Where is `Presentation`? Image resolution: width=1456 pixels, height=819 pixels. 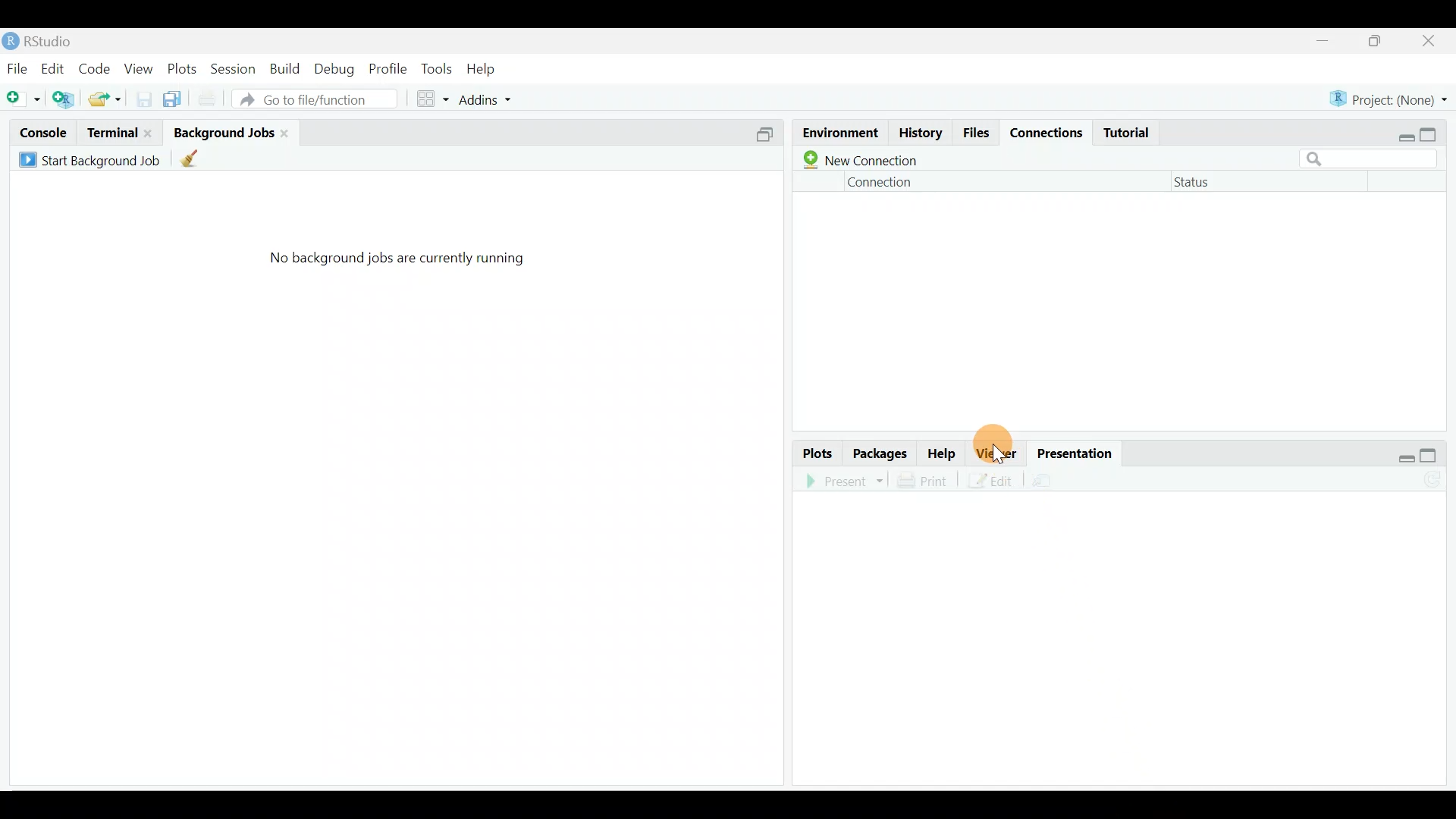
Presentation is located at coordinates (1078, 450).